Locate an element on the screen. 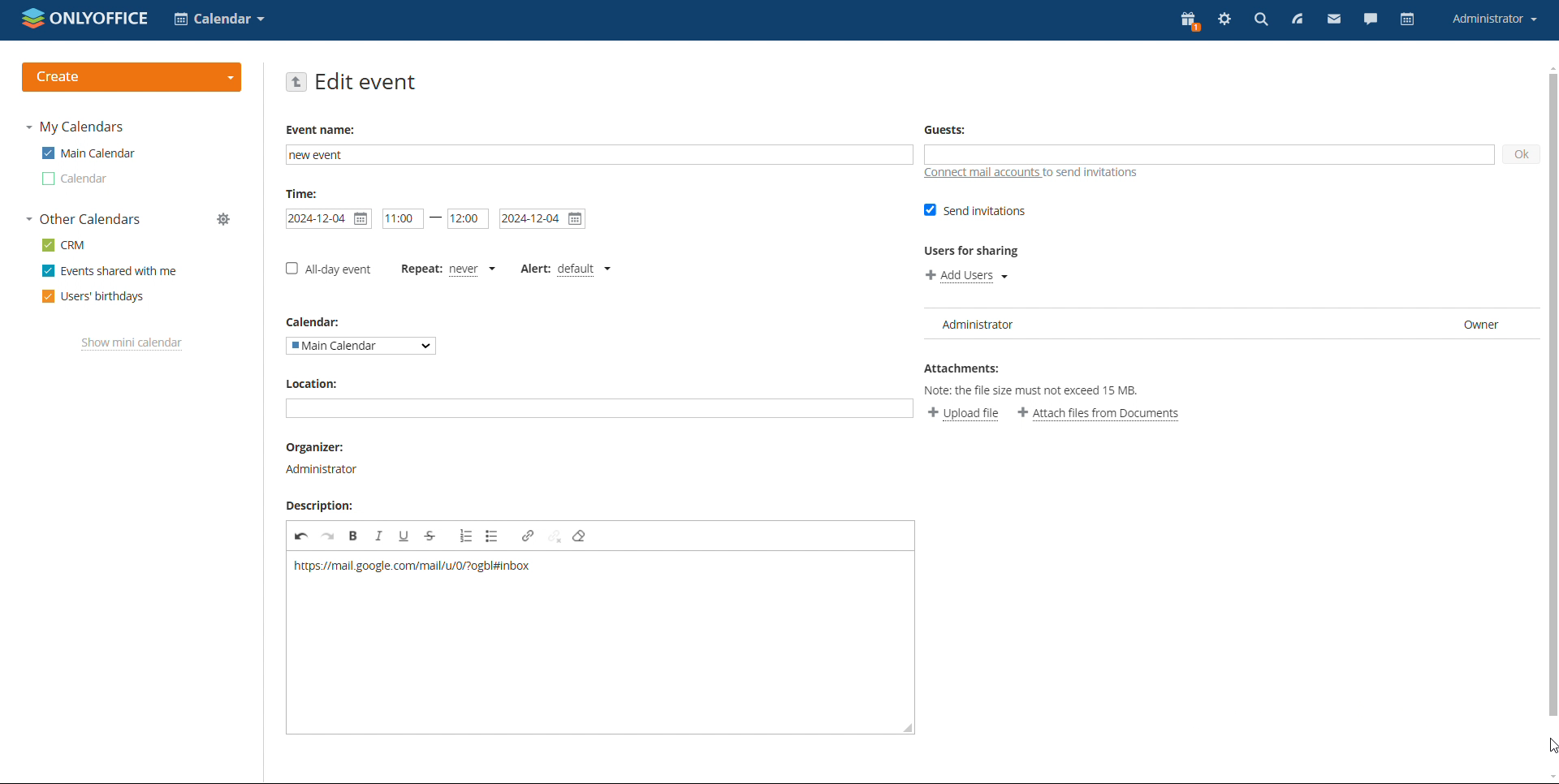  add guests is located at coordinates (1207, 154).